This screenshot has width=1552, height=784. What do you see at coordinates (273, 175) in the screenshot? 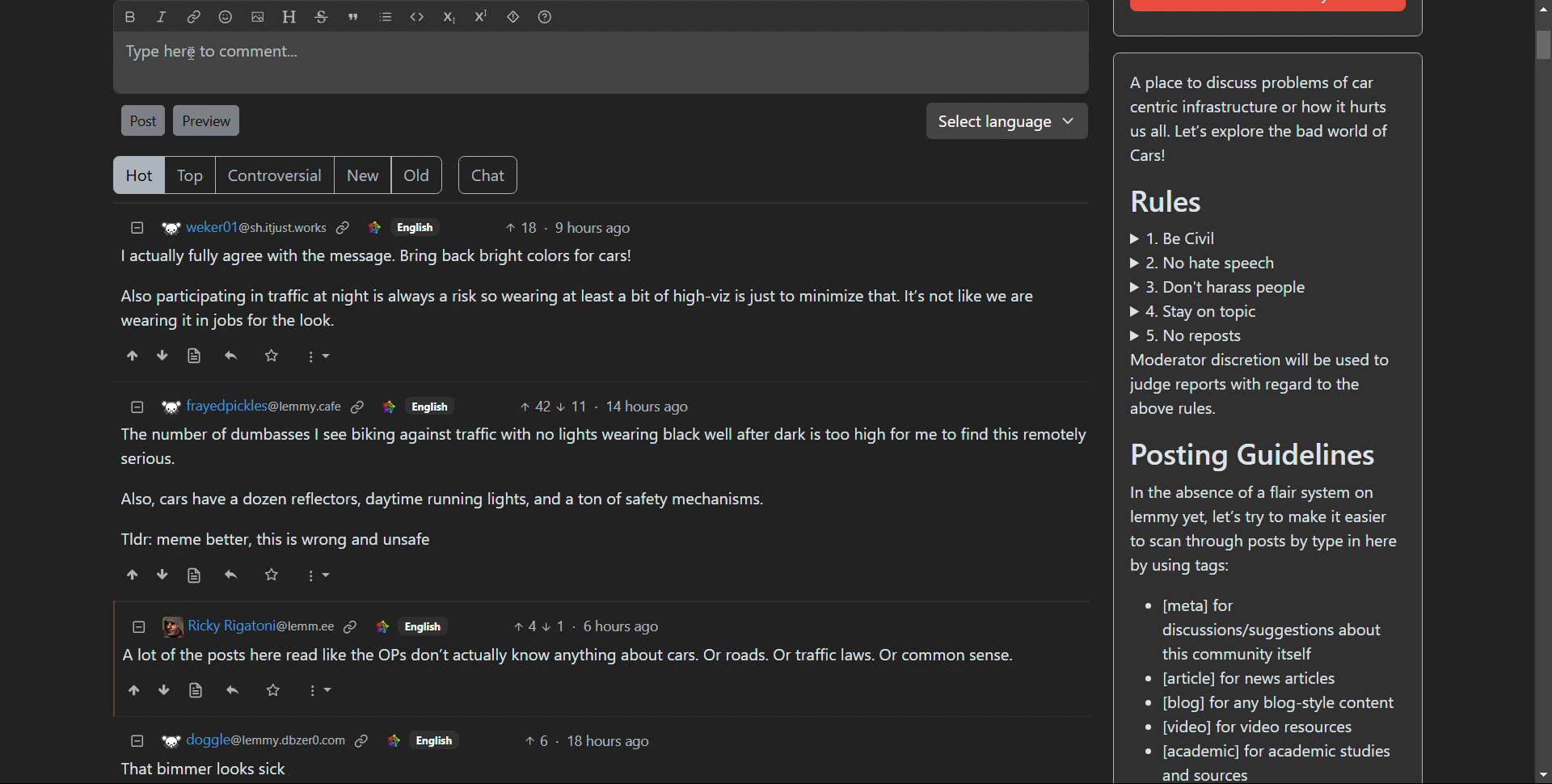
I see `controversial` at bounding box center [273, 175].